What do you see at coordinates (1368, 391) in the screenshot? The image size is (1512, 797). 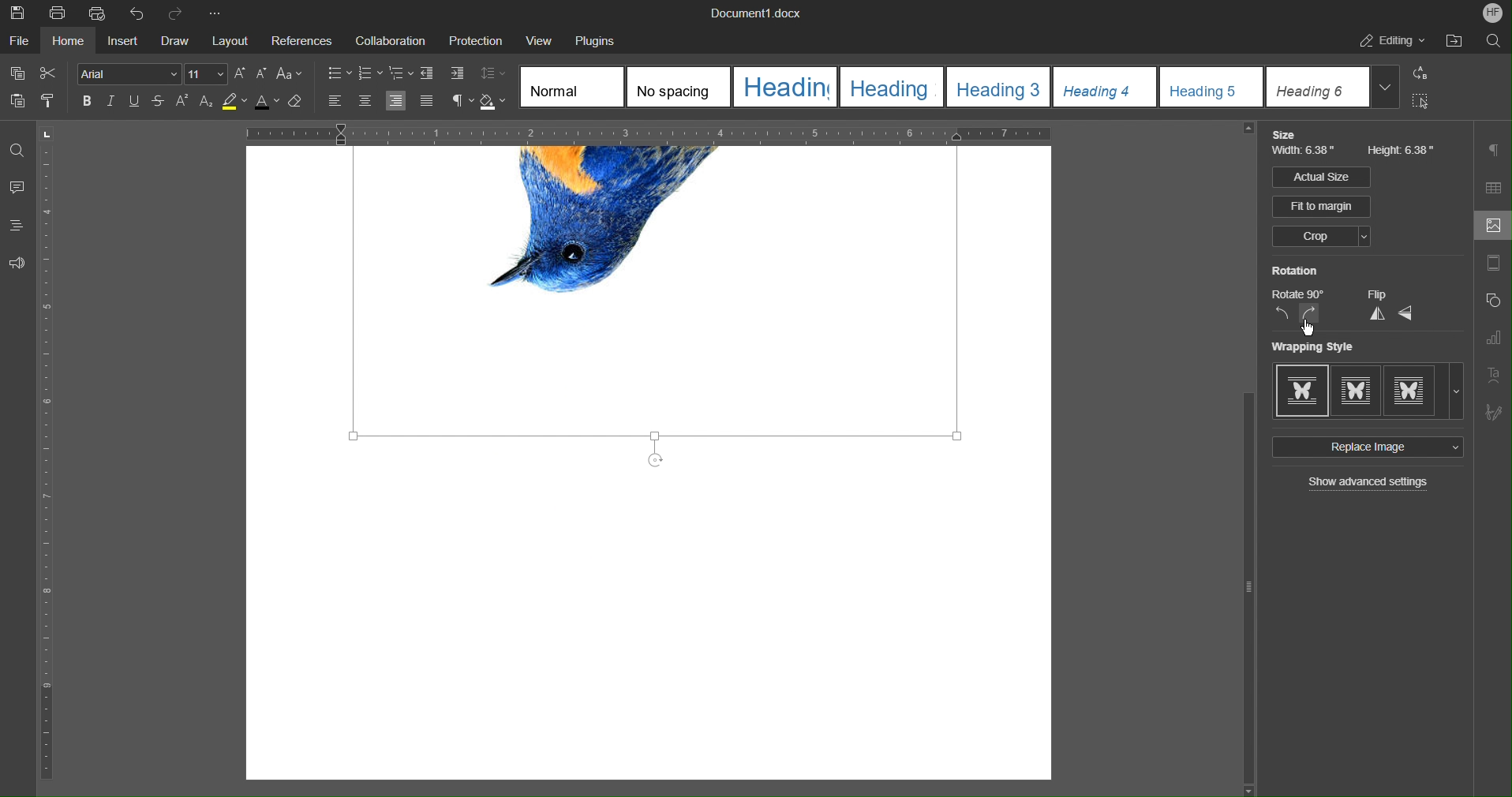 I see `Wrapping Style Options` at bounding box center [1368, 391].